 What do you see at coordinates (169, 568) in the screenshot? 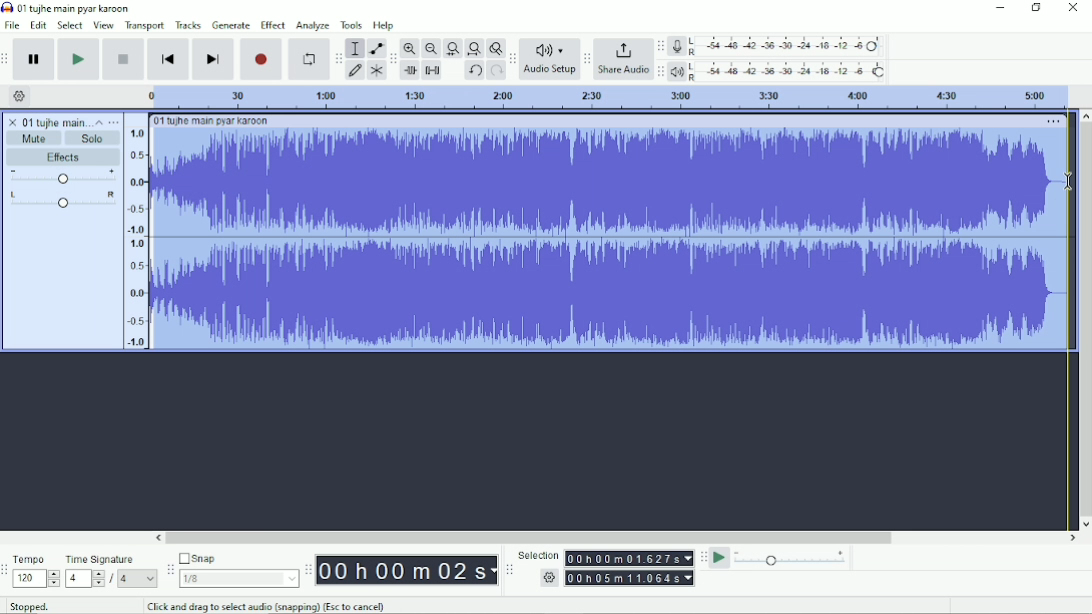
I see `Audacity snapping toolbar` at bounding box center [169, 568].